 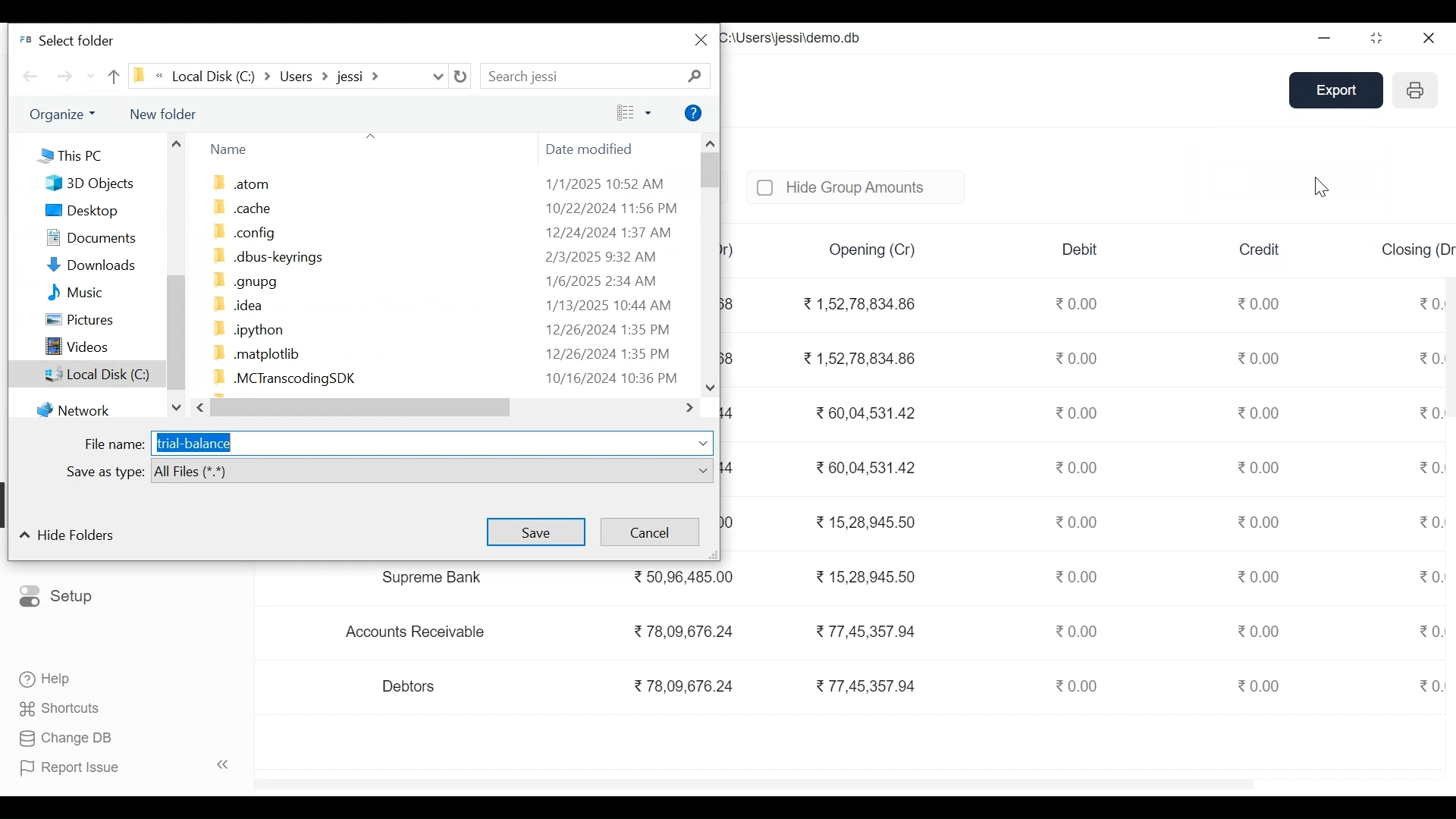 I want to click on 77,45,357.94, so click(x=865, y=685).